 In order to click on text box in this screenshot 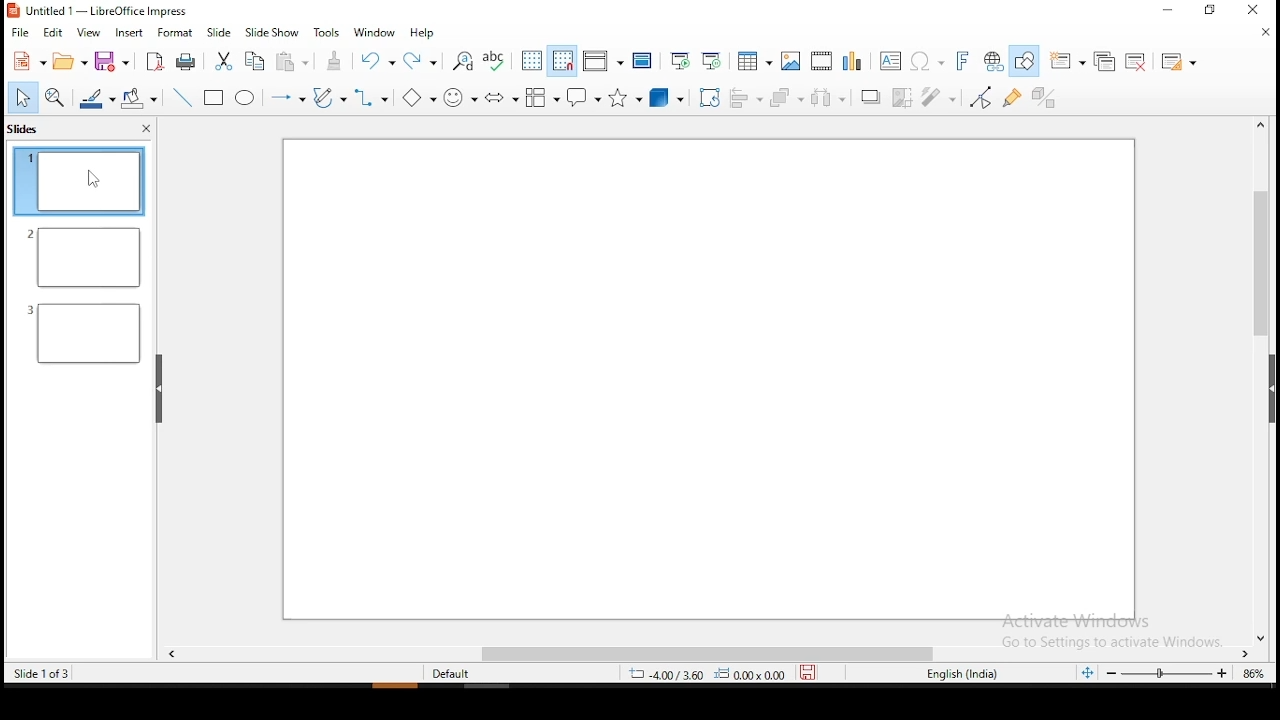, I will do `click(891, 60)`.